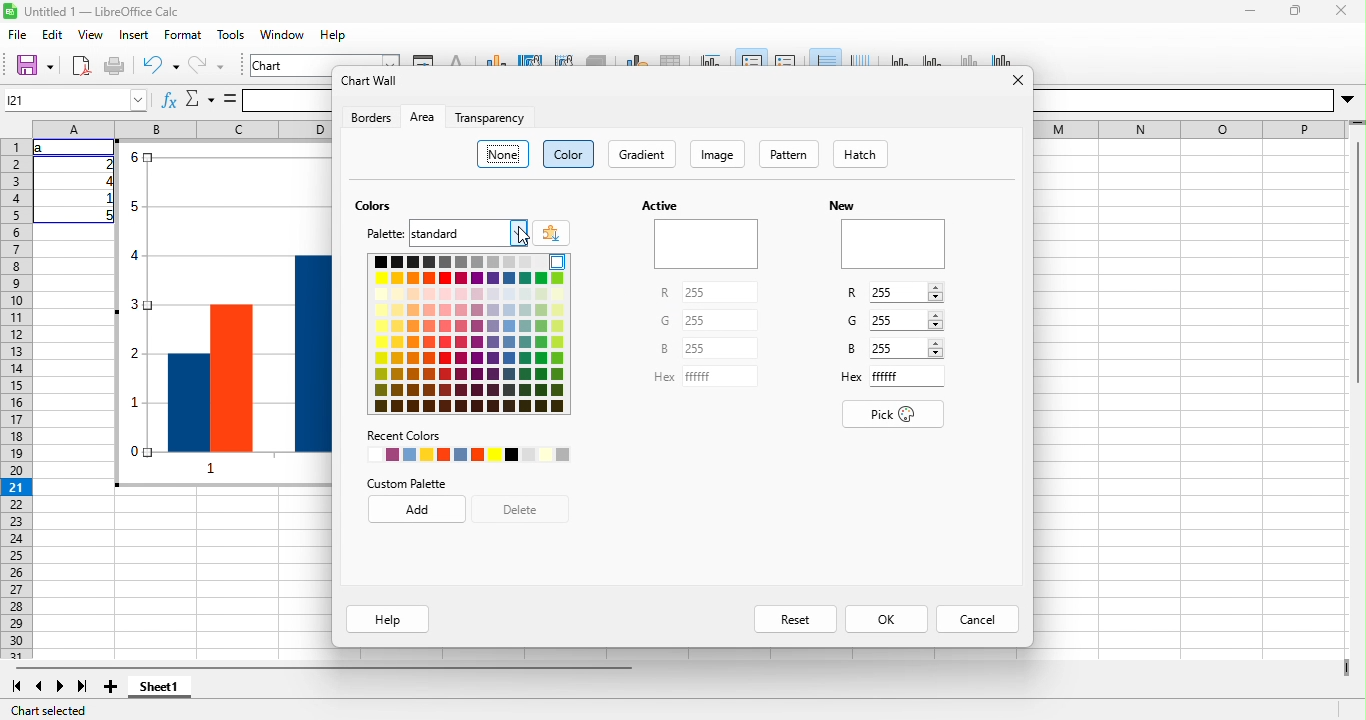 Image resolution: width=1366 pixels, height=720 pixels. Describe the element at coordinates (497, 59) in the screenshot. I see `chart type` at that location.